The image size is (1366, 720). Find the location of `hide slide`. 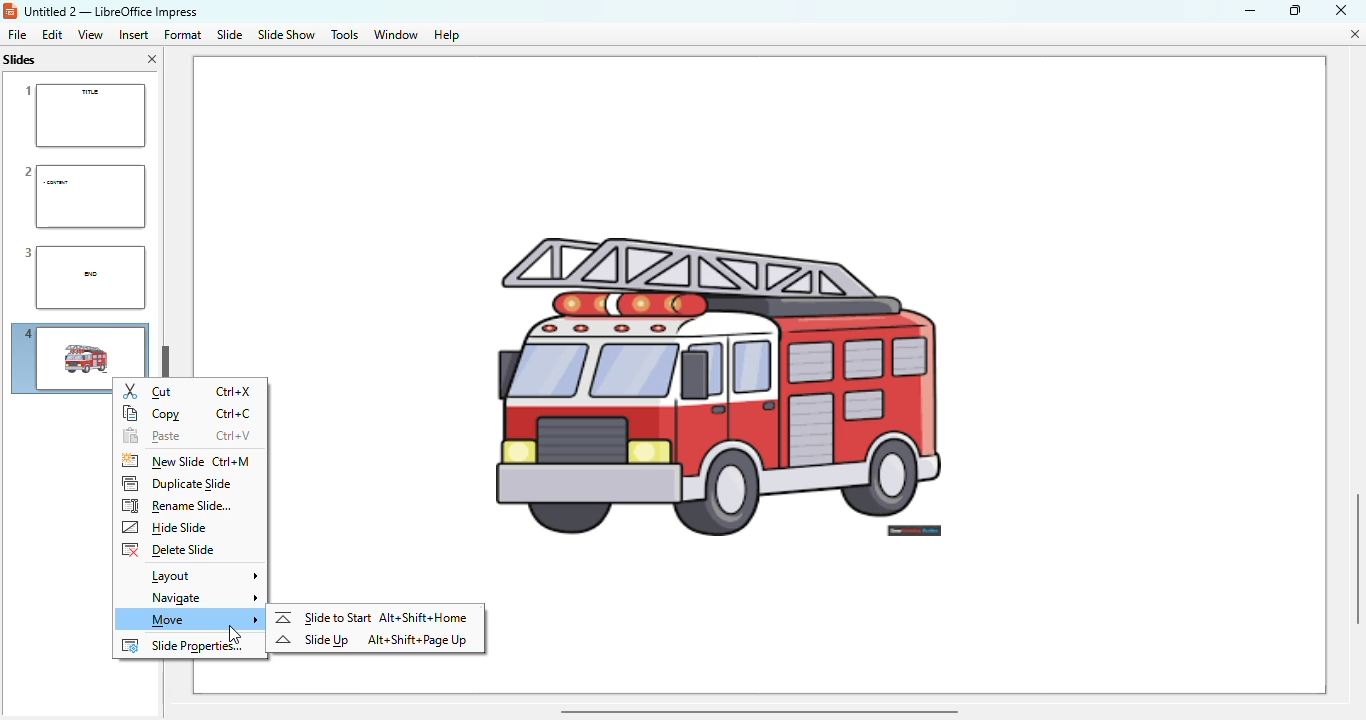

hide slide is located at coordinates (166, 528).